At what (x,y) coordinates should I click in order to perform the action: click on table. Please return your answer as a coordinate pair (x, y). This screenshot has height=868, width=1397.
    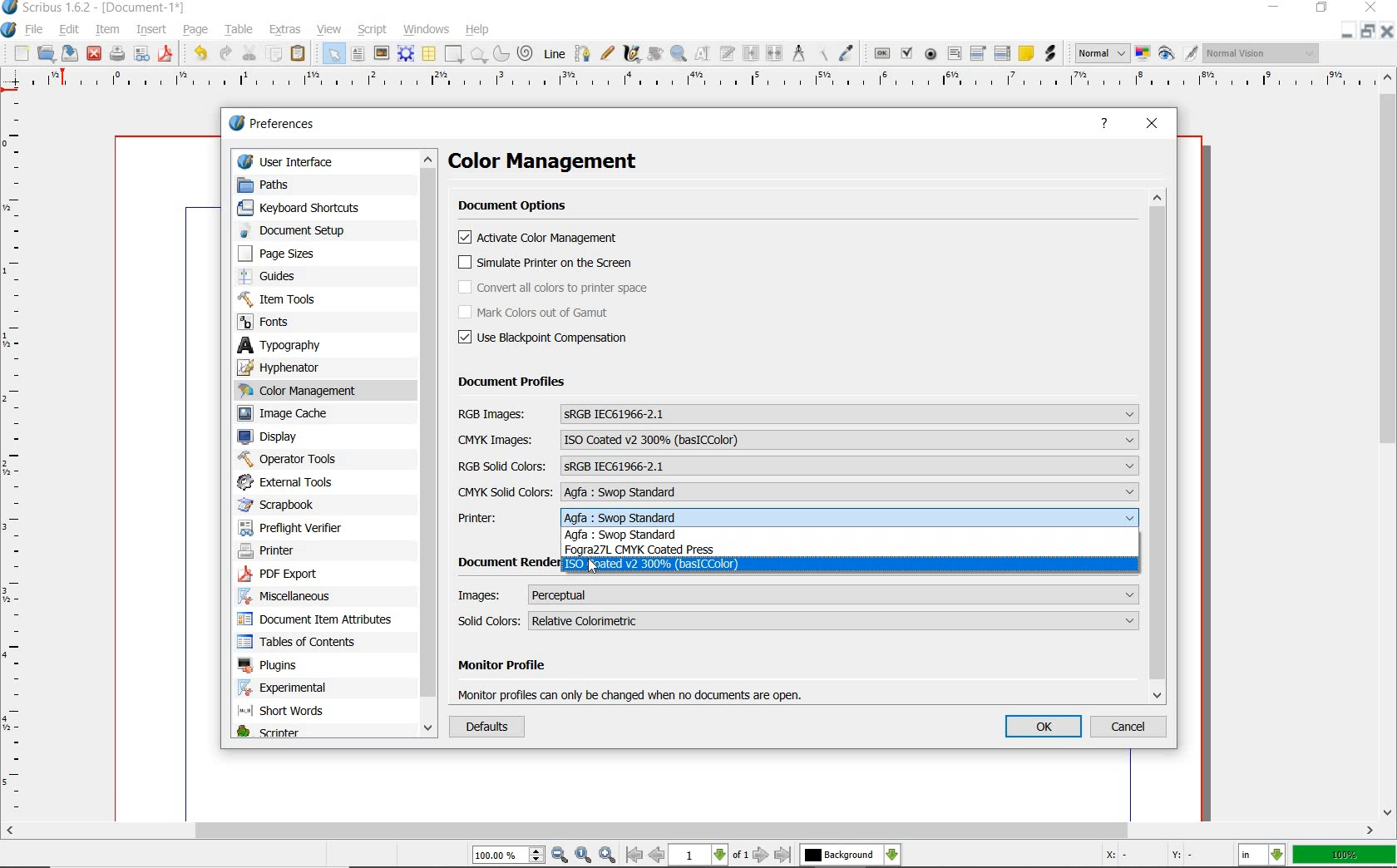
    Looking at the image, I should click on (429, 55).